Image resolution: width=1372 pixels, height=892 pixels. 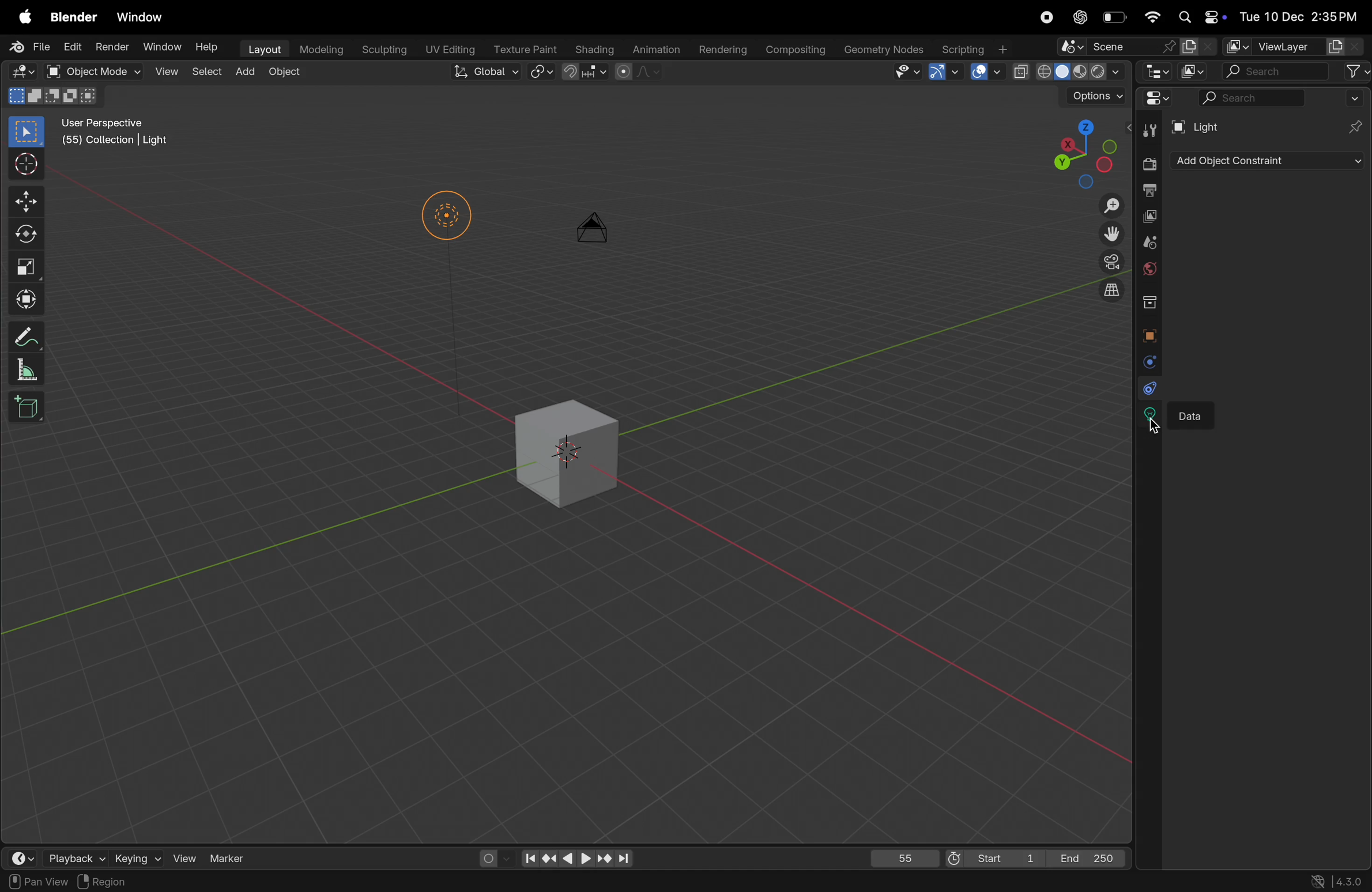 What do you see at coordinates (161, 47) in the screenshot?
I see `Window` at bounding box center [161, 47].